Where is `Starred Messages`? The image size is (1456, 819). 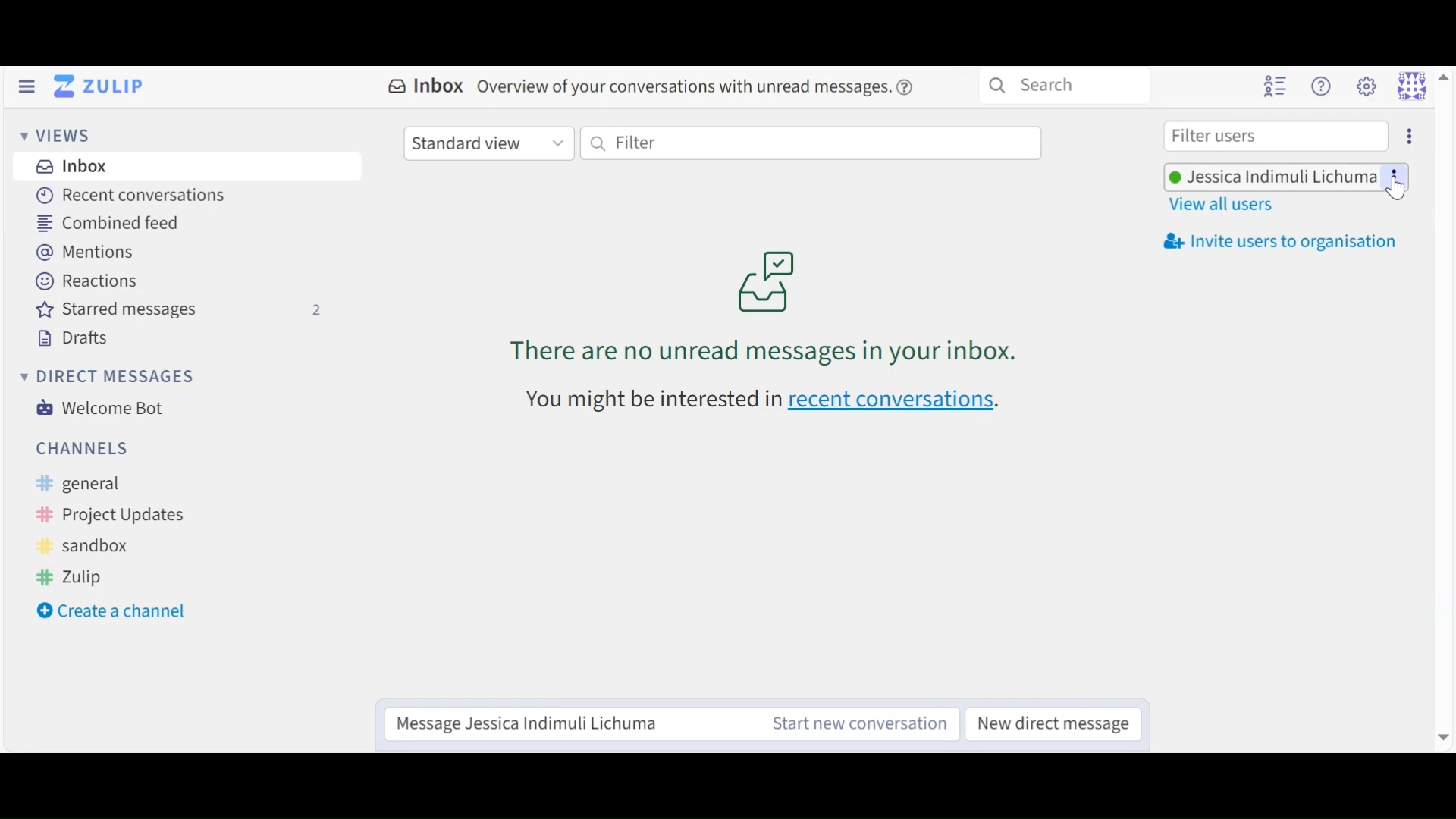 Starred Messages is located at coordinates (180, 311).